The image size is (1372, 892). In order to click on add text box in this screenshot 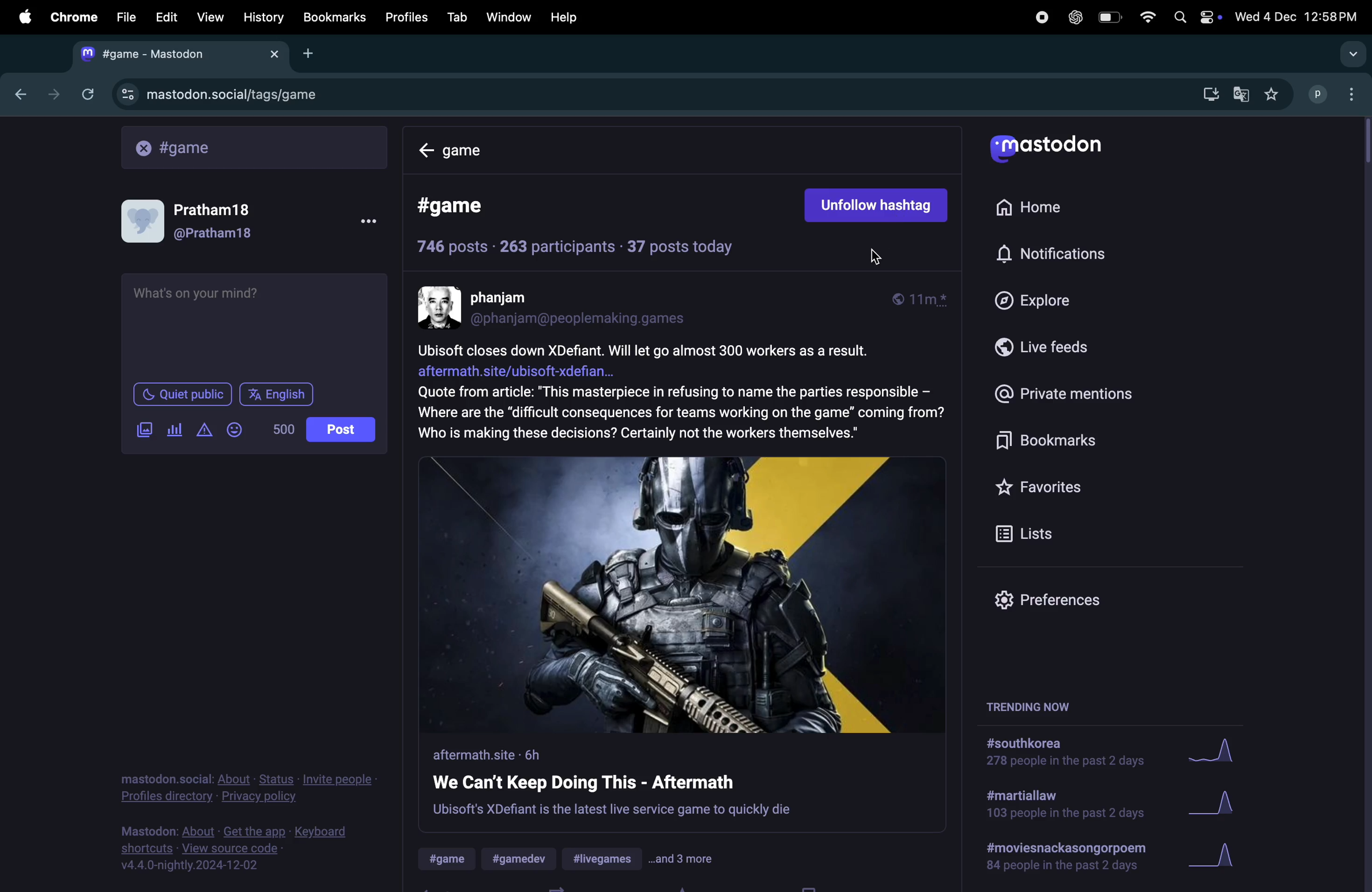, I will do `click(253, 325)`.